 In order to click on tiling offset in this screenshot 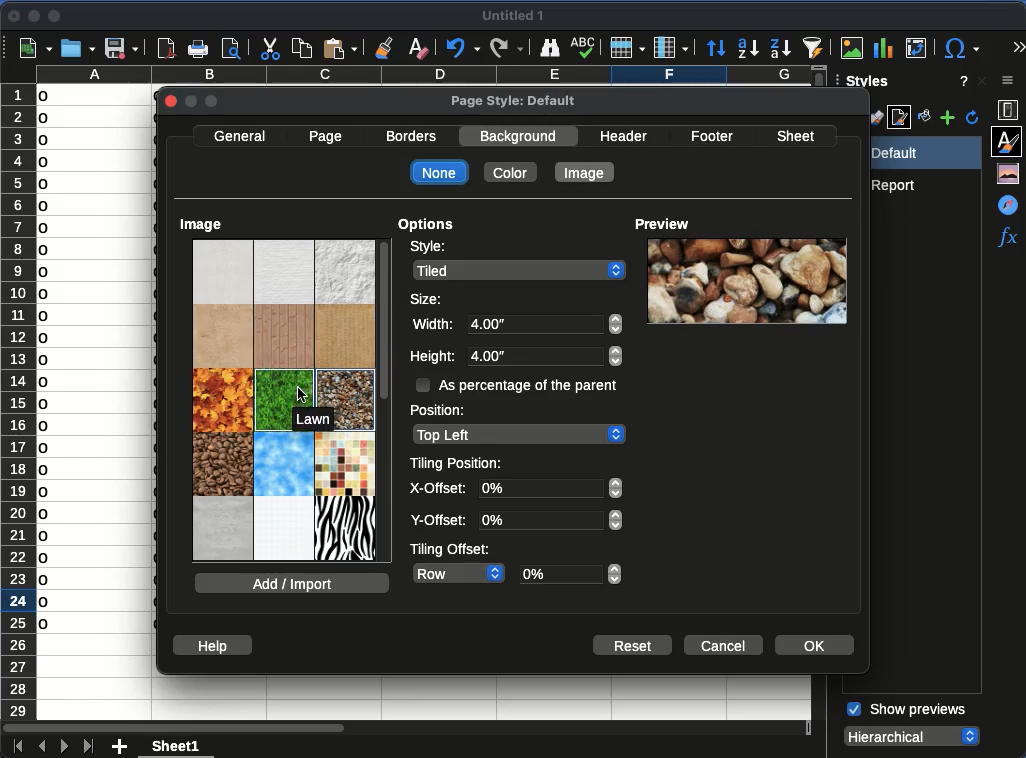, I will do `click(452, 549)`.